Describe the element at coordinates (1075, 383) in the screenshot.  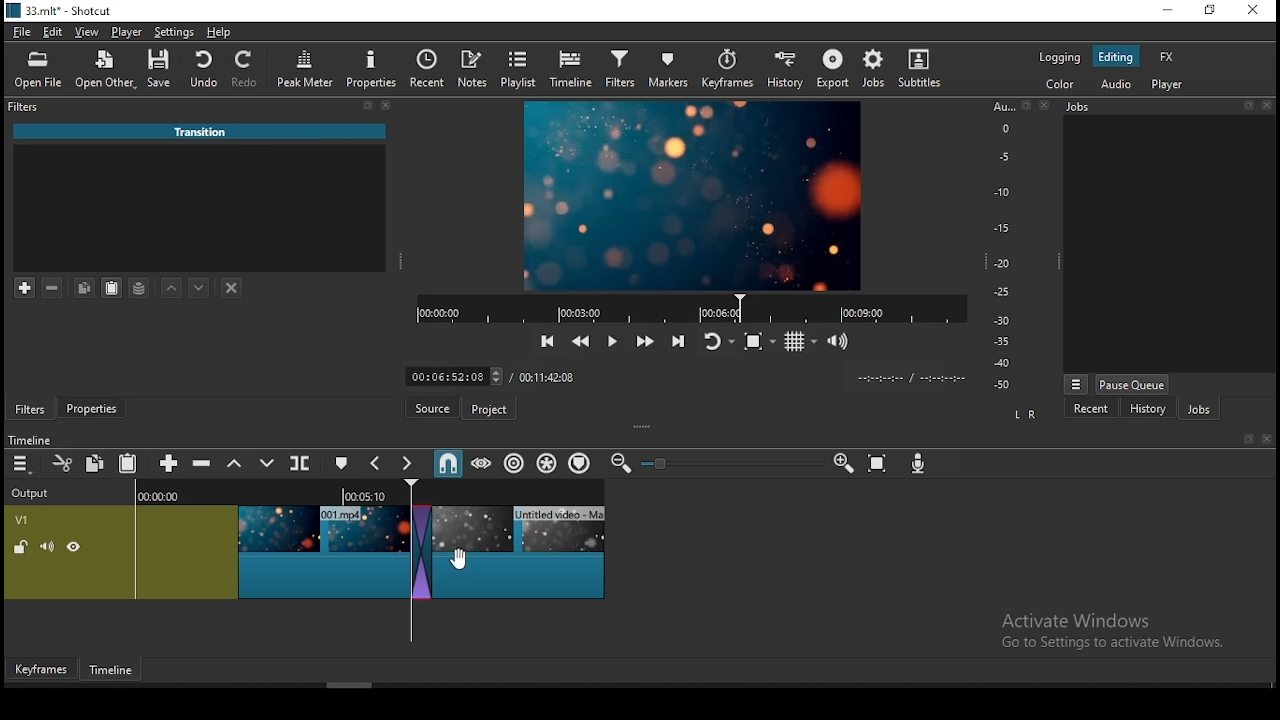
I see `view menu` at that location.